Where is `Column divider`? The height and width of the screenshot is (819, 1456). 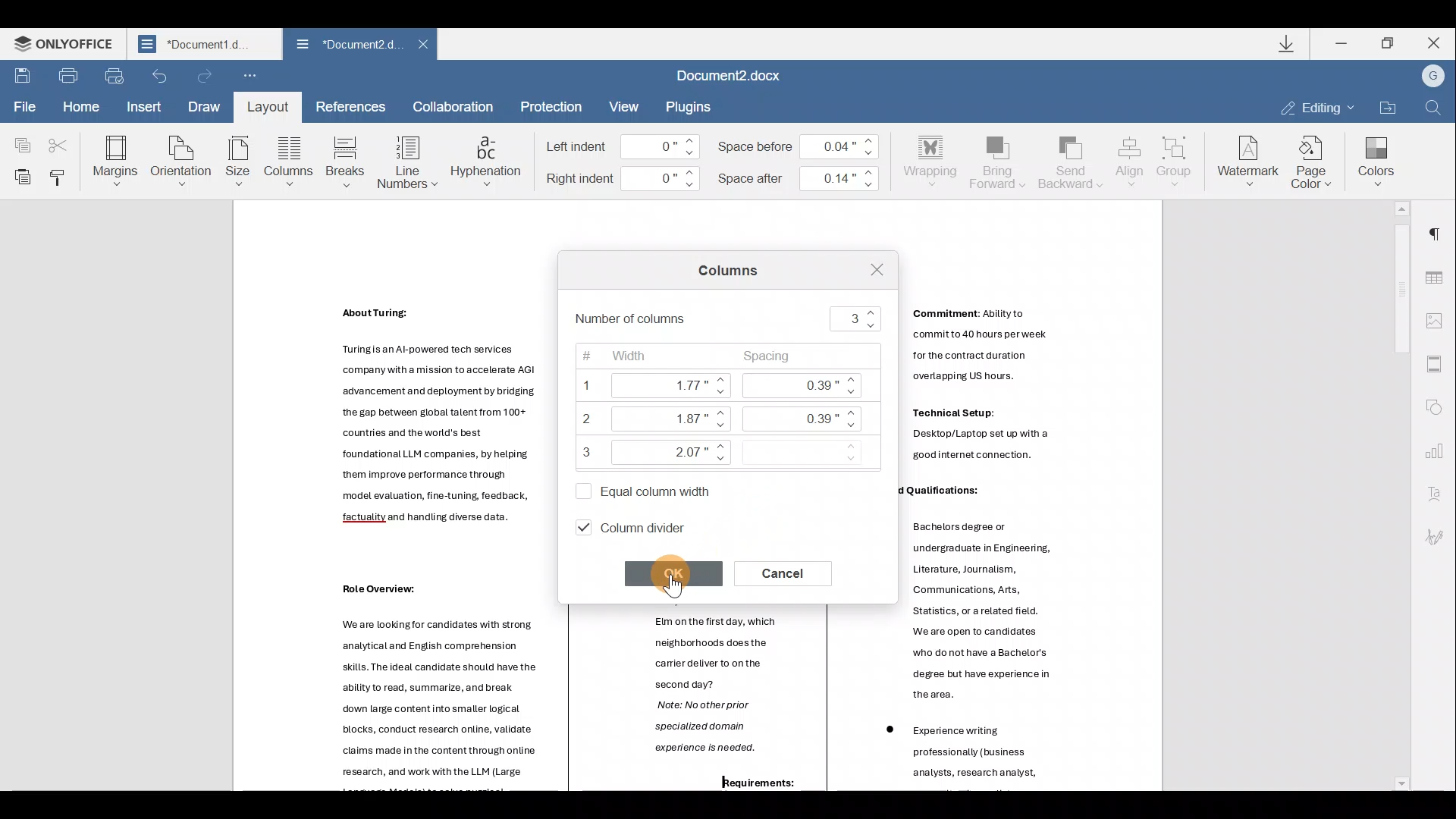
Column divider is located at coordinates (645, 526).